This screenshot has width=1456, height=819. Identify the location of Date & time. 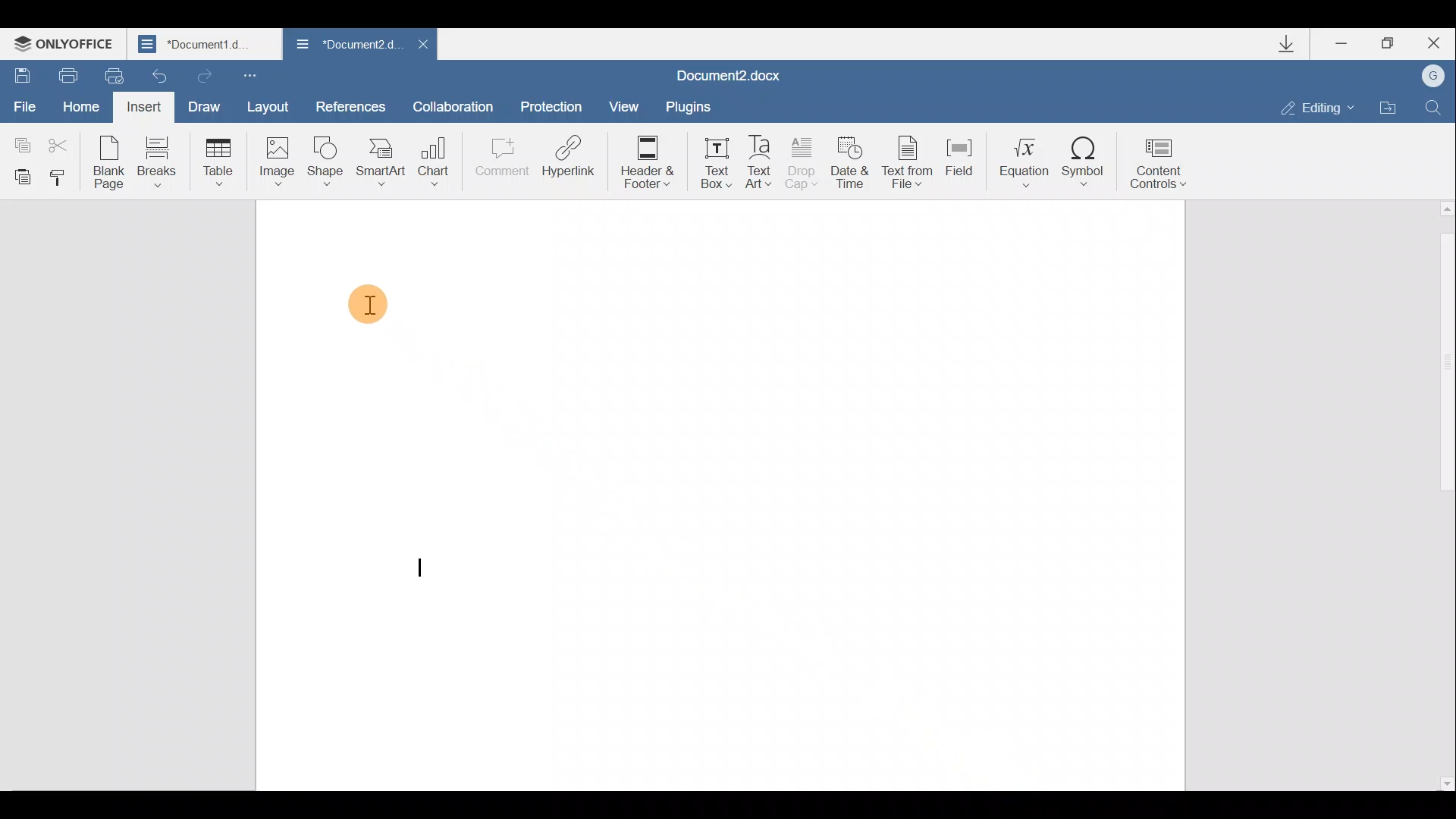
(850, 167).